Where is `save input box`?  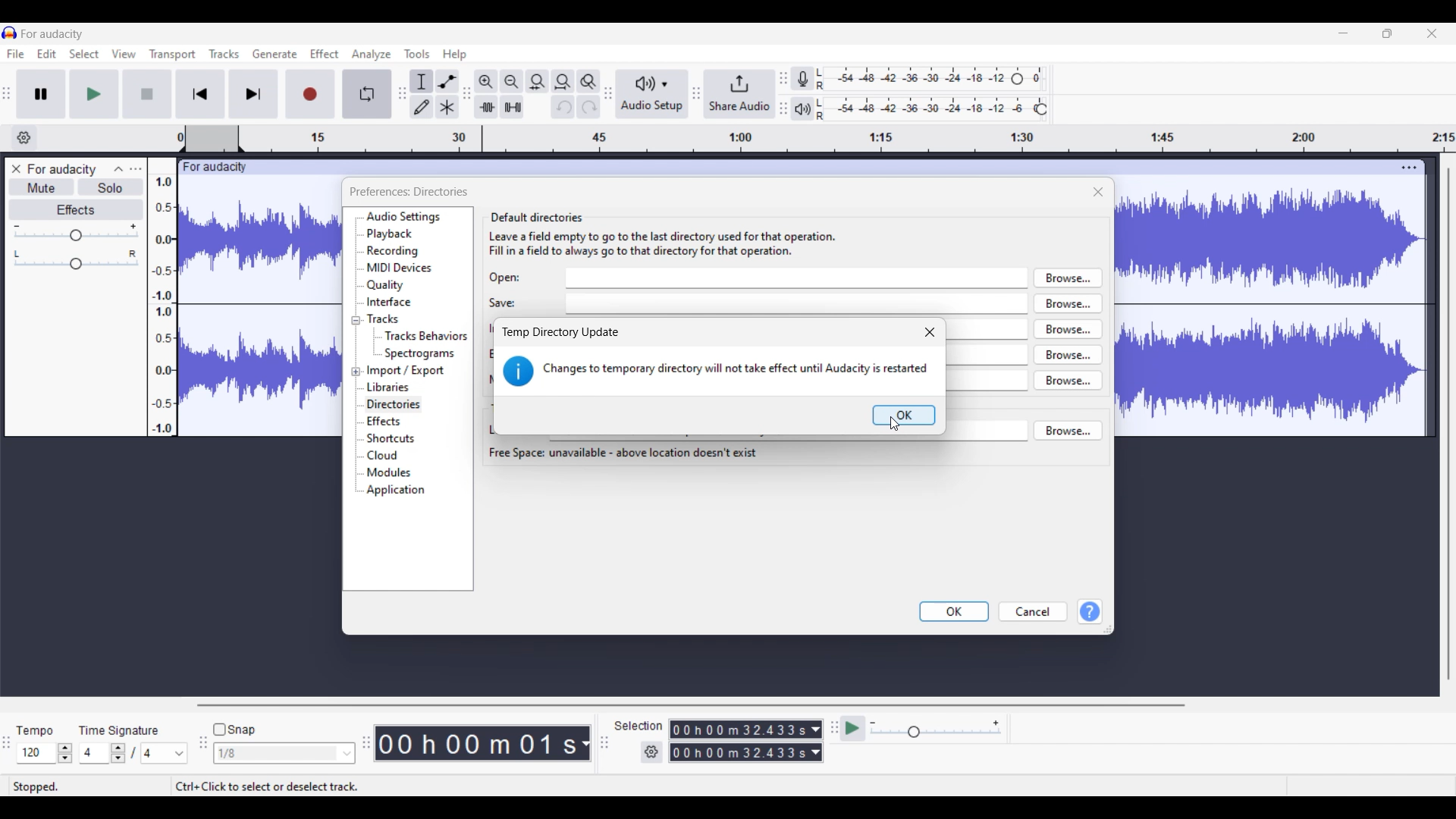 save input box is located at coordinates (799, 303).